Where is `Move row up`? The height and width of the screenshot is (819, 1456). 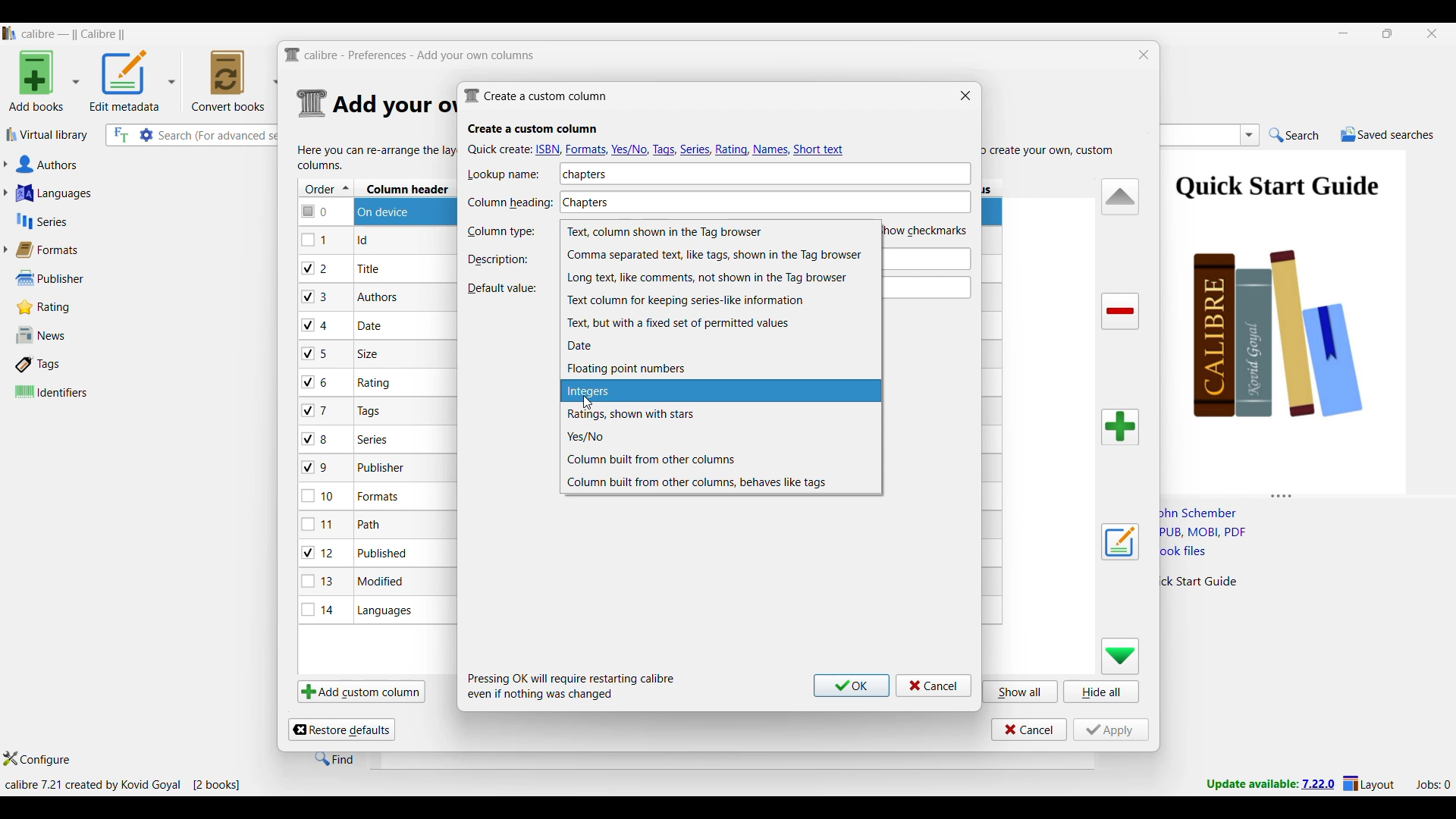
Move row up is located at coordinates (1121, 196).